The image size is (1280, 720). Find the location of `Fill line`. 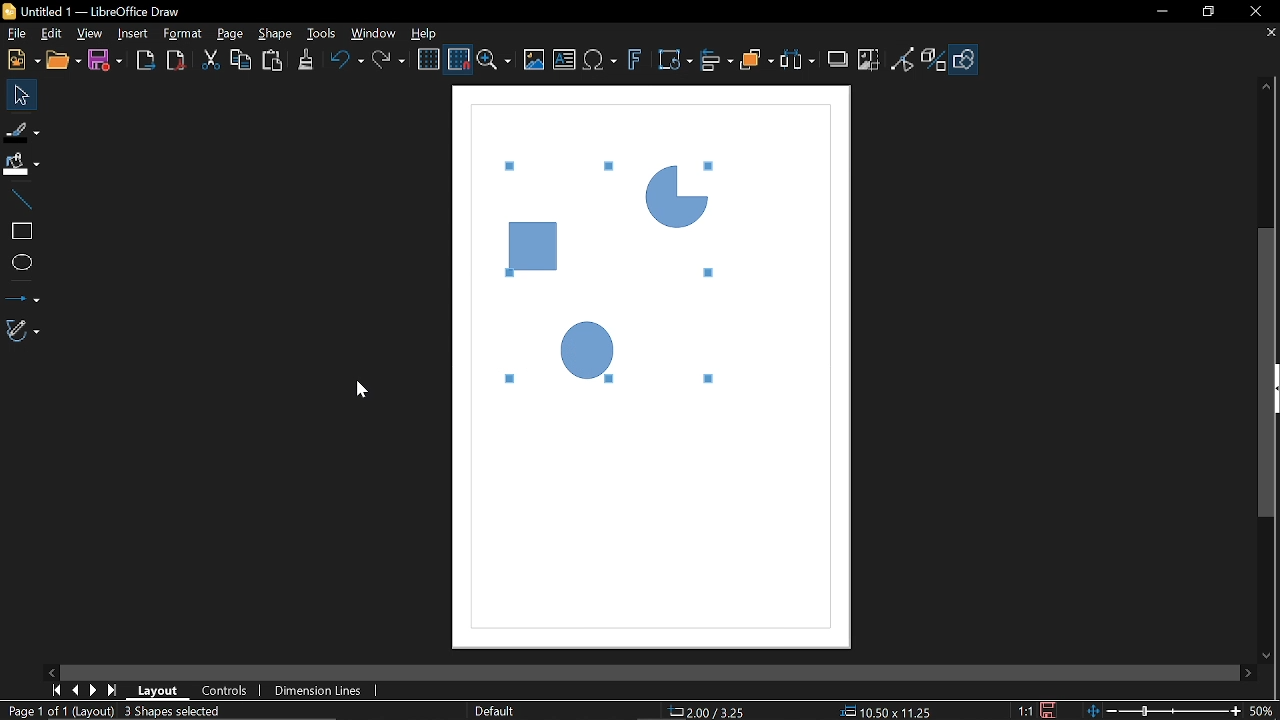

Fill line is located at coordinates (22, 128).